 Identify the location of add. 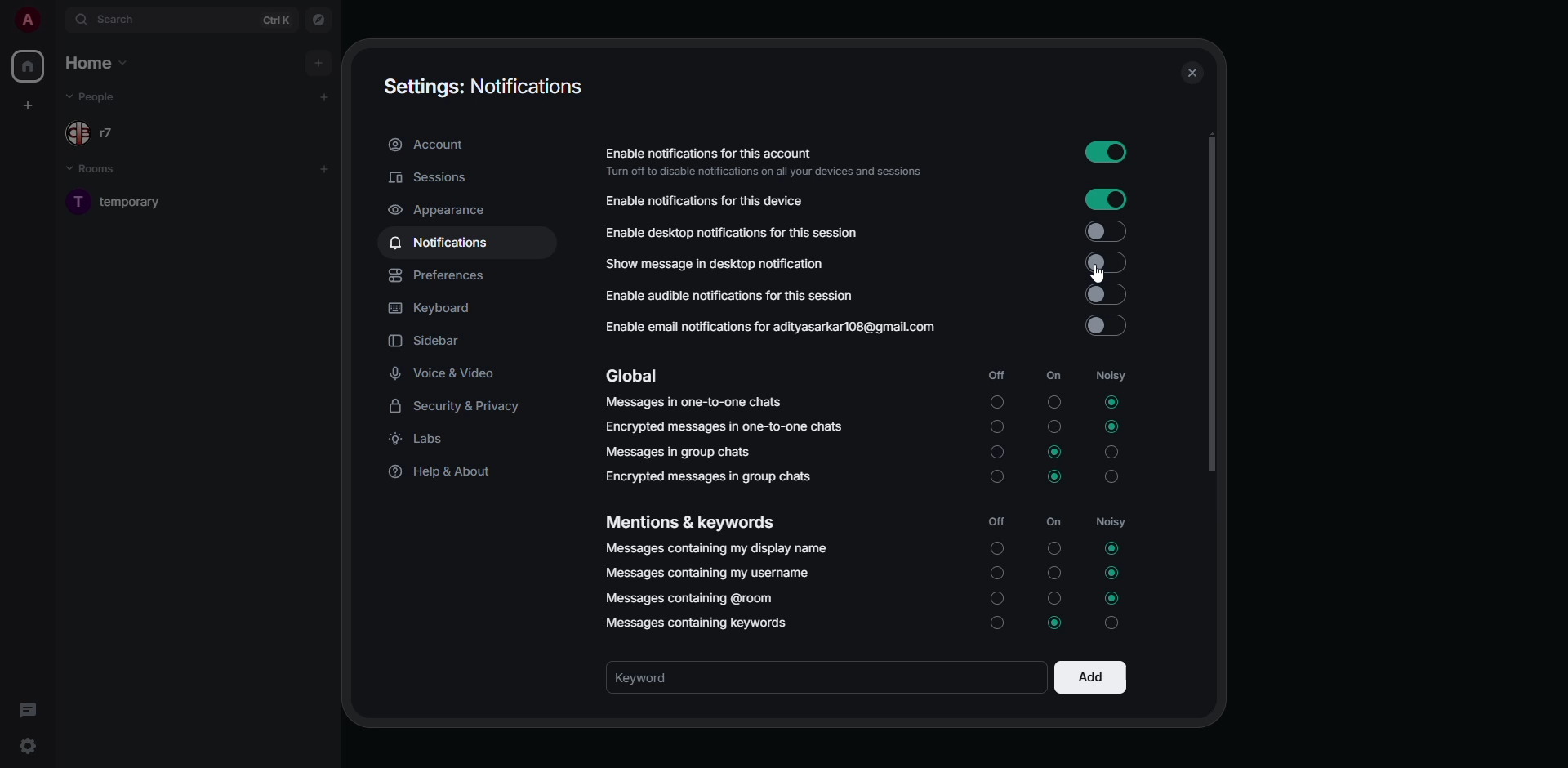
(318, 62).